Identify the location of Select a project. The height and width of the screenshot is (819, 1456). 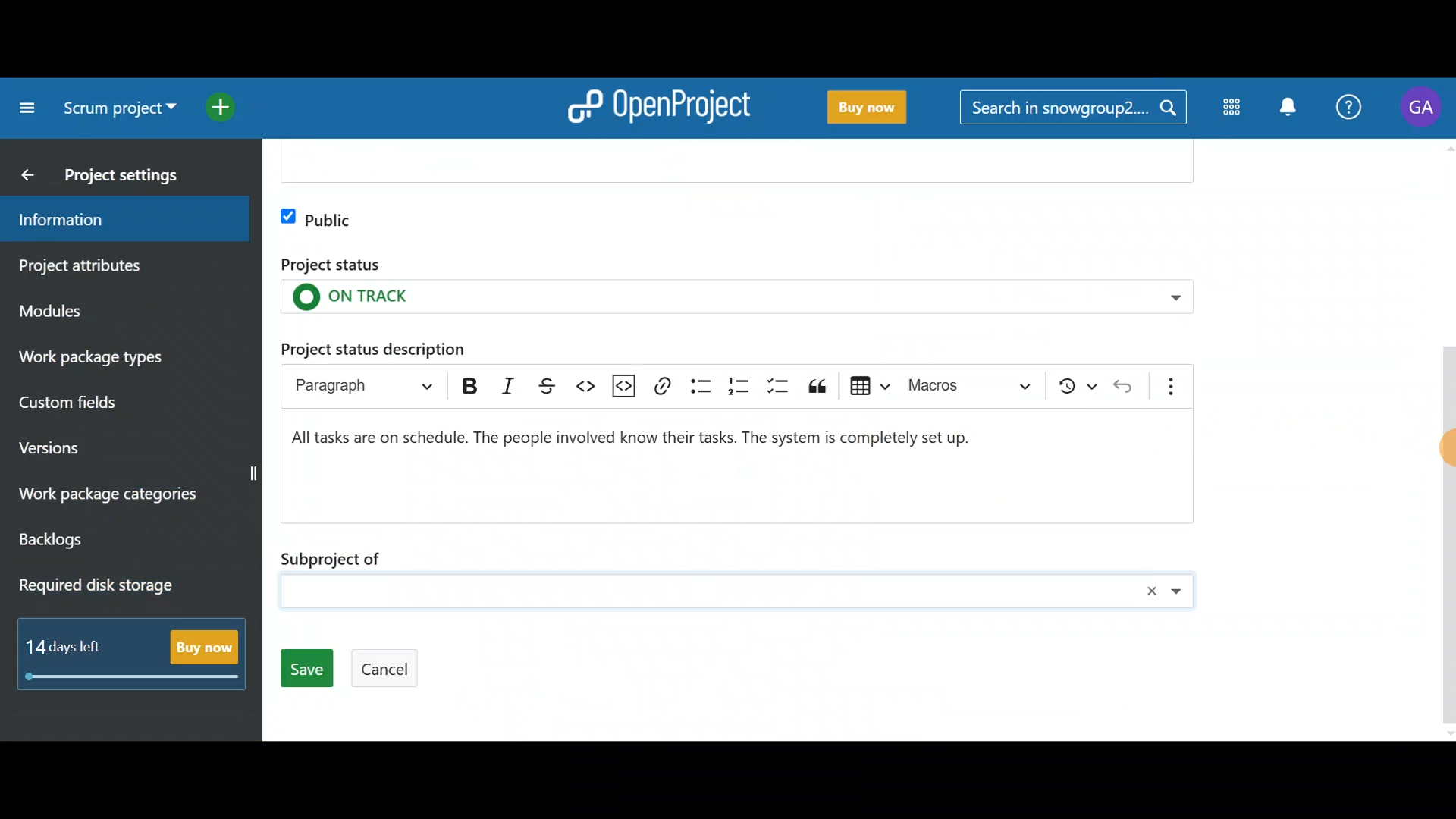
(123, 114).